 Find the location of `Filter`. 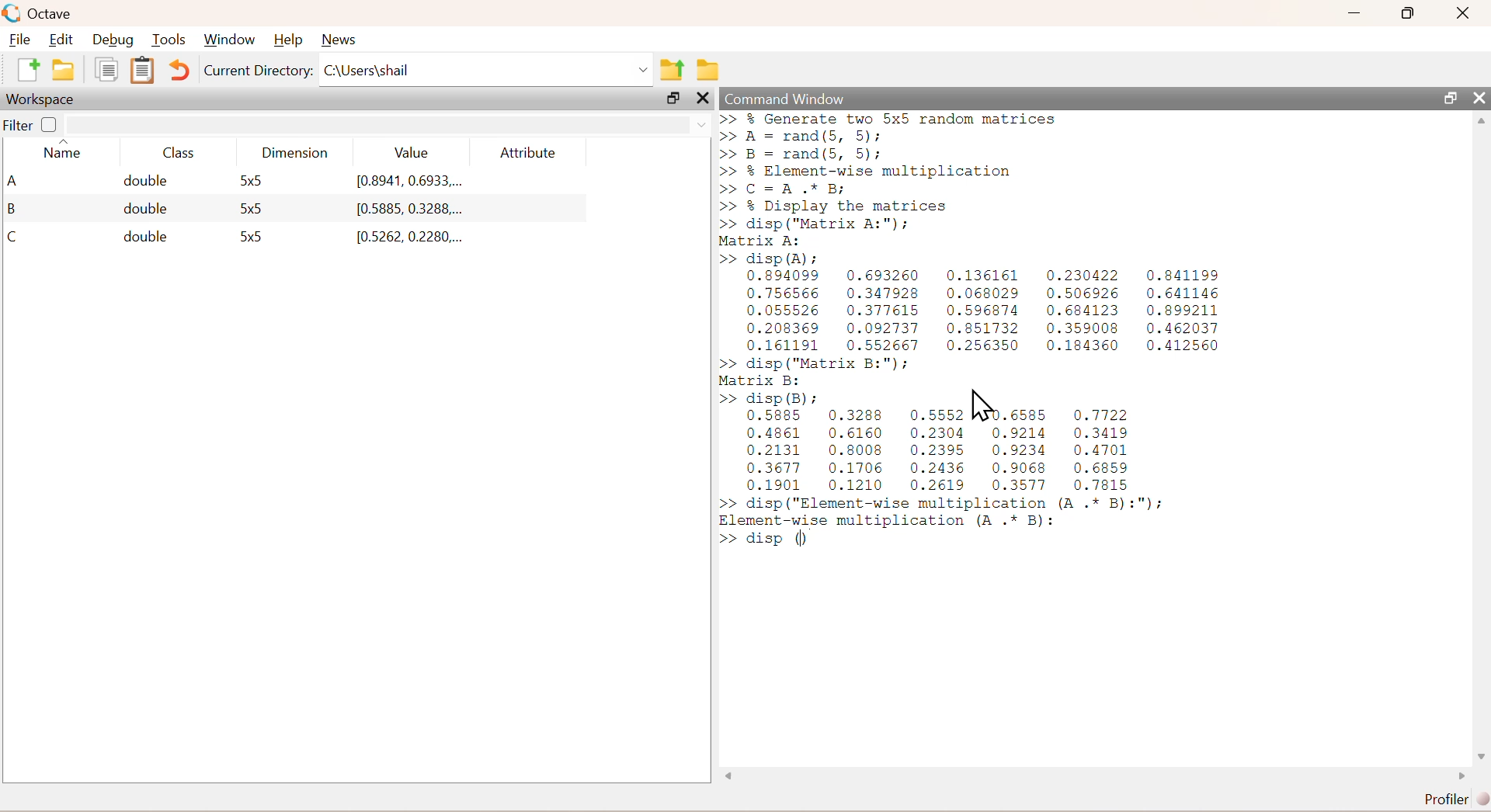

Filter is located at coordinates (36, 124).